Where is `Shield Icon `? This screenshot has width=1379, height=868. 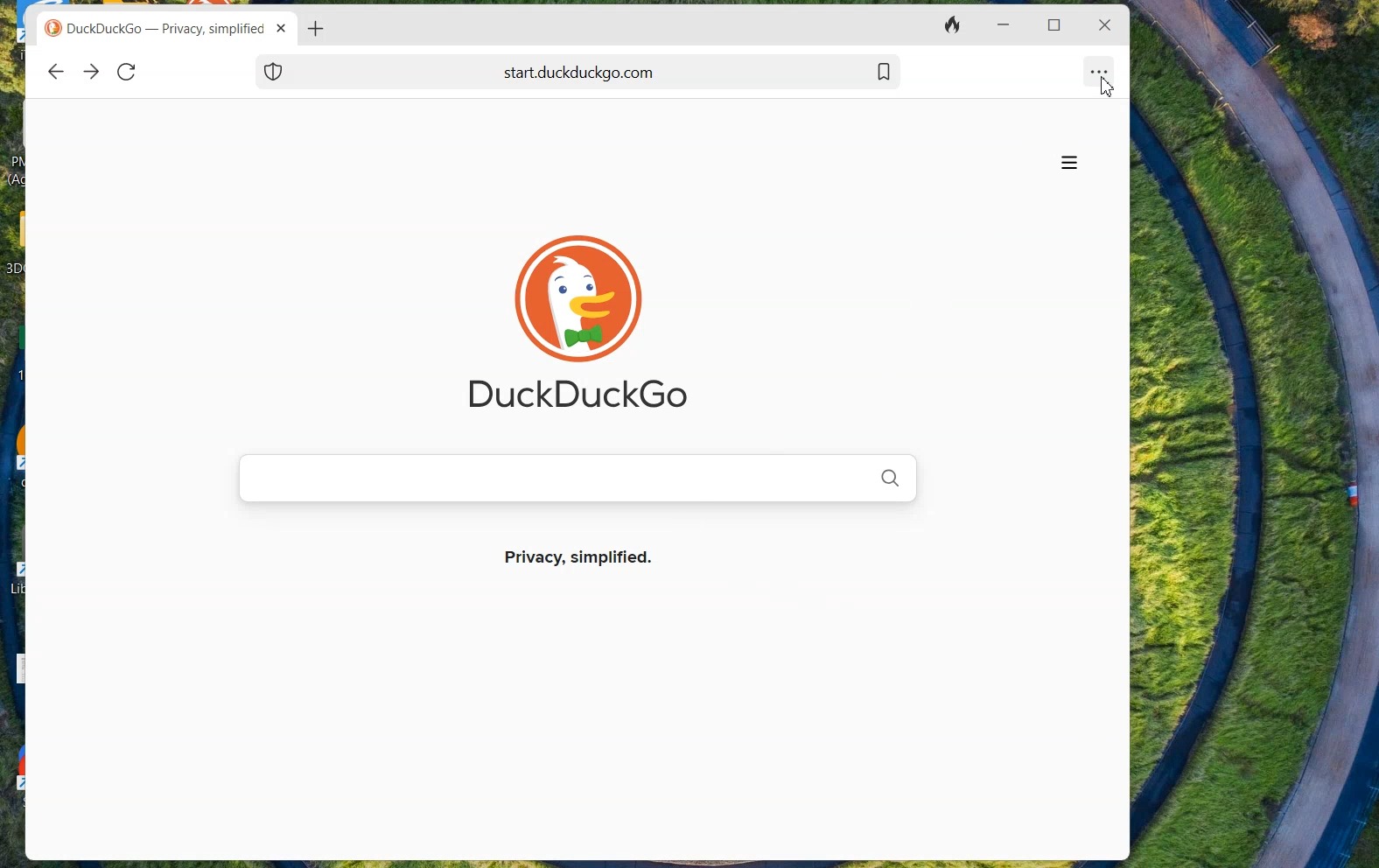 Shield Icon  is located at coordinates (274, 71).